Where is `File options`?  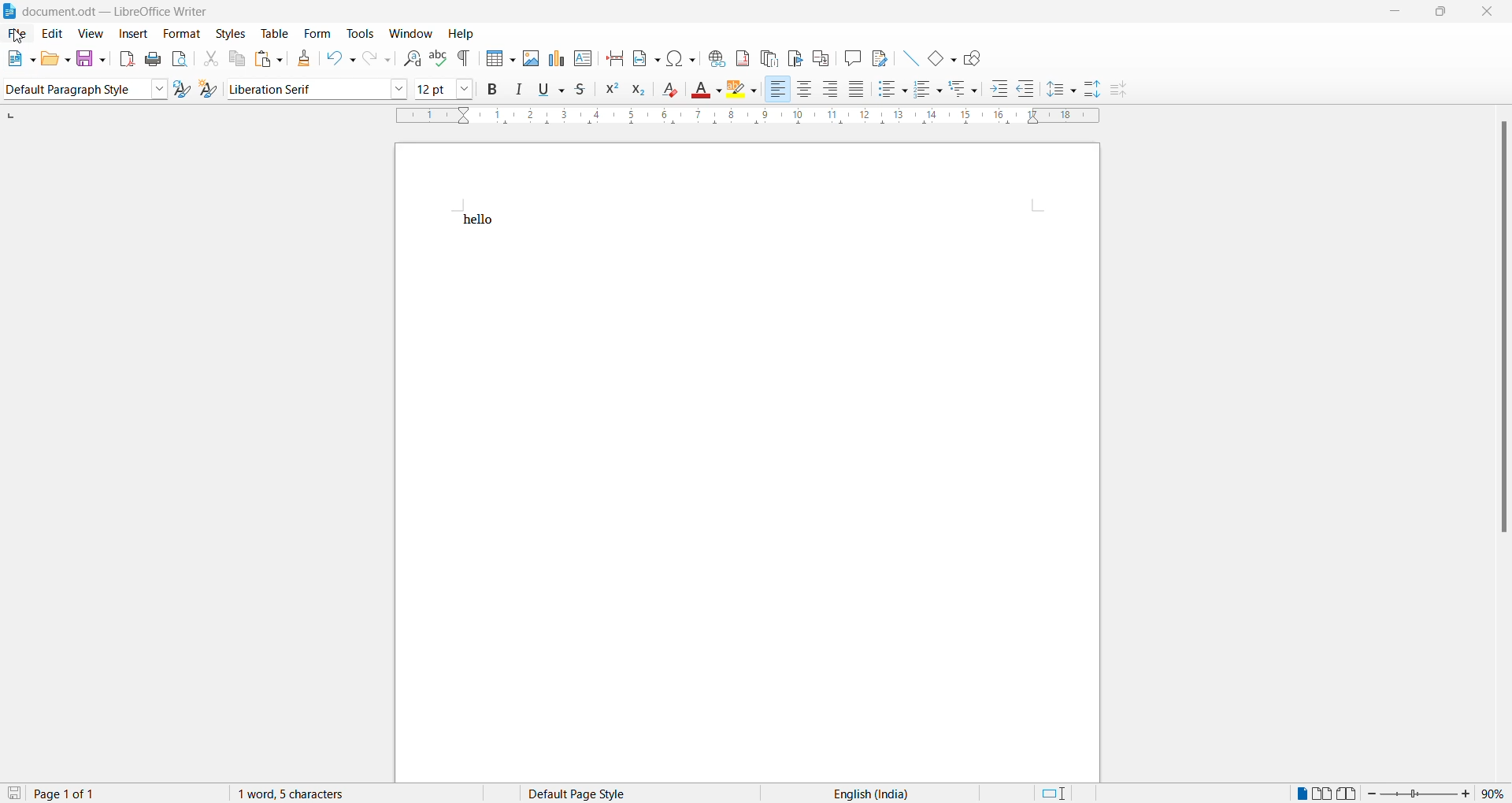
File options is located at coordinates (20, 58).